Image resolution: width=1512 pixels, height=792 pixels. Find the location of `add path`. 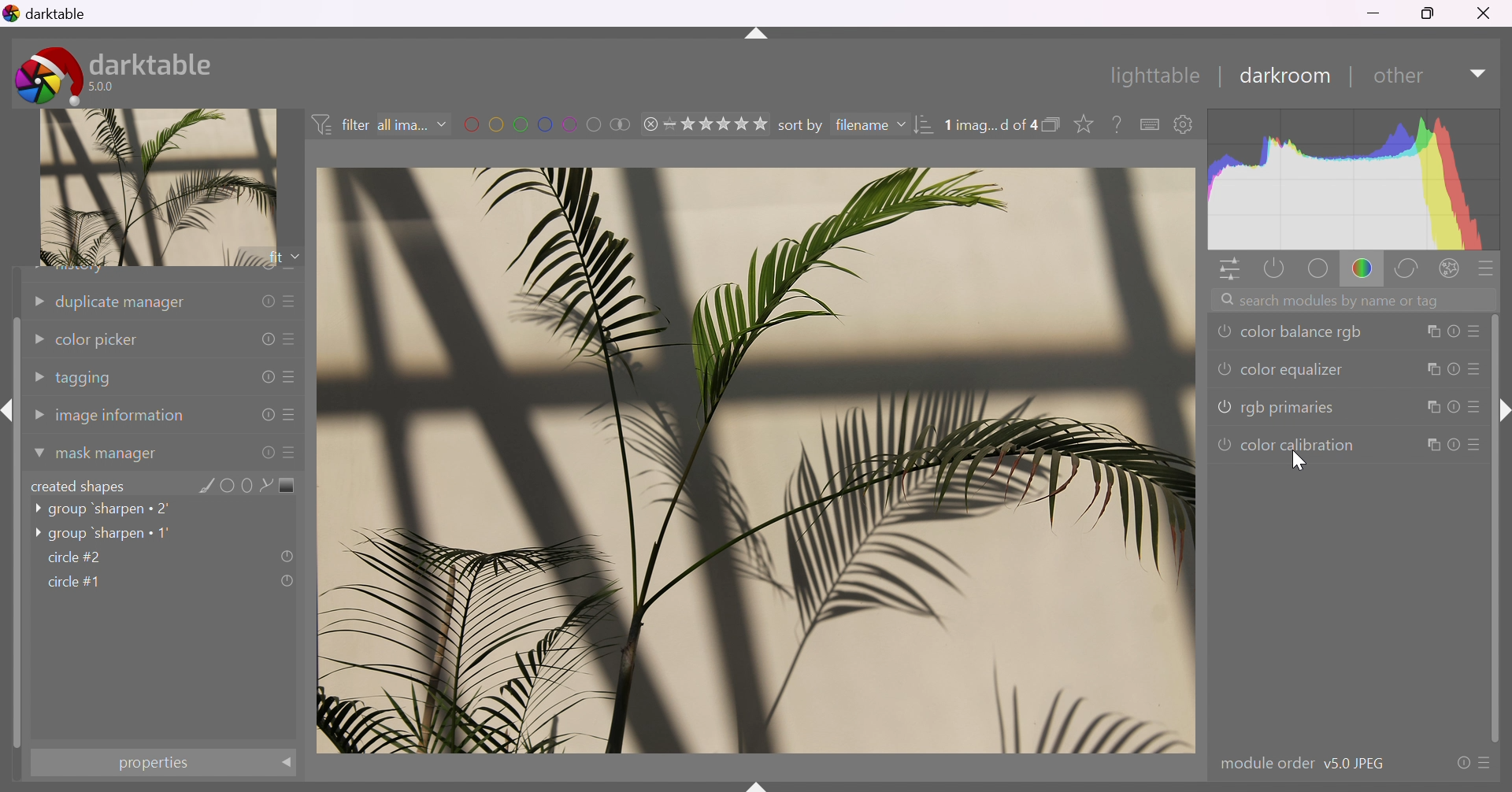

add path is located at coordinates (267, 485).